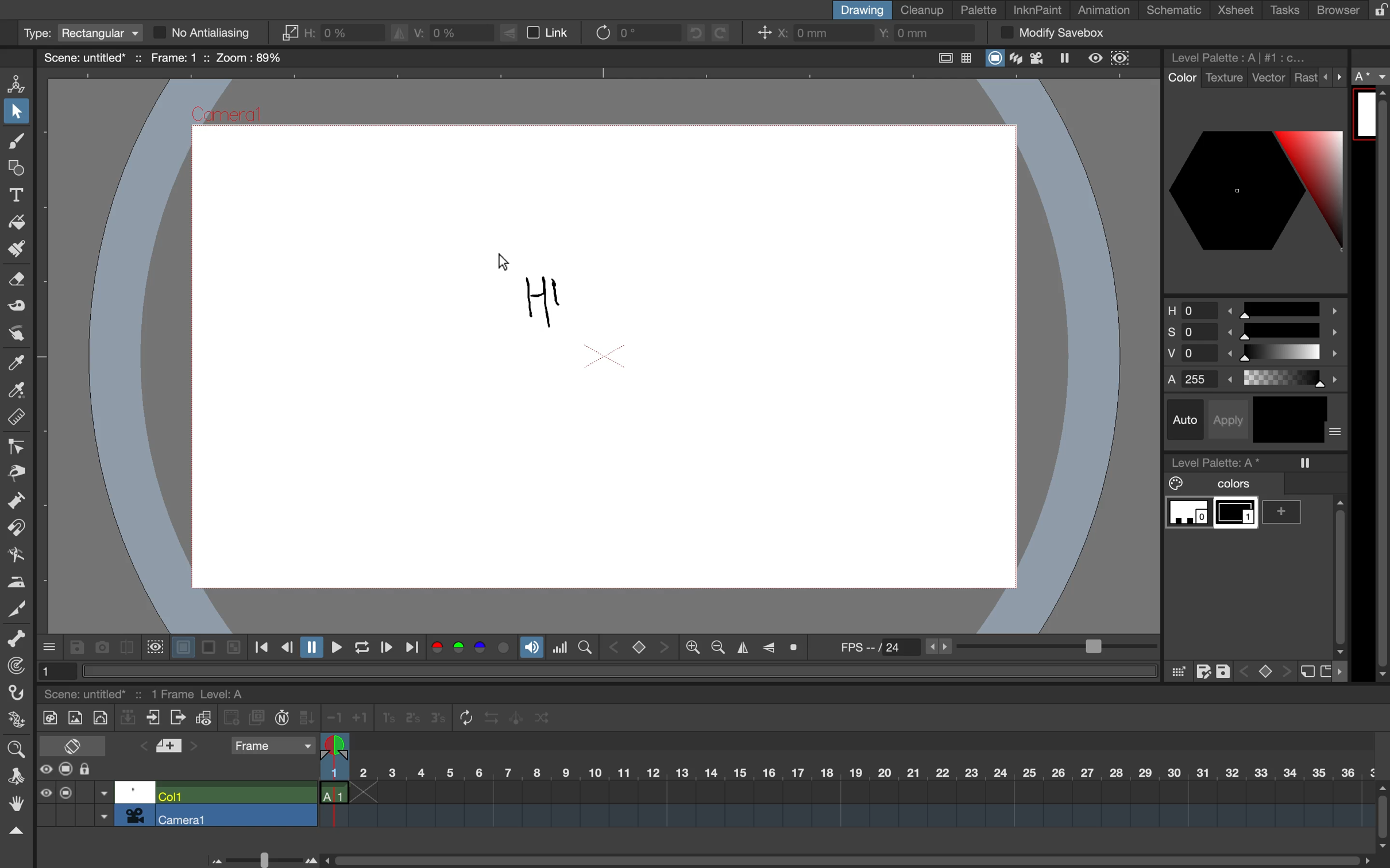  I want to click on switch between keys, so click(638, 646).